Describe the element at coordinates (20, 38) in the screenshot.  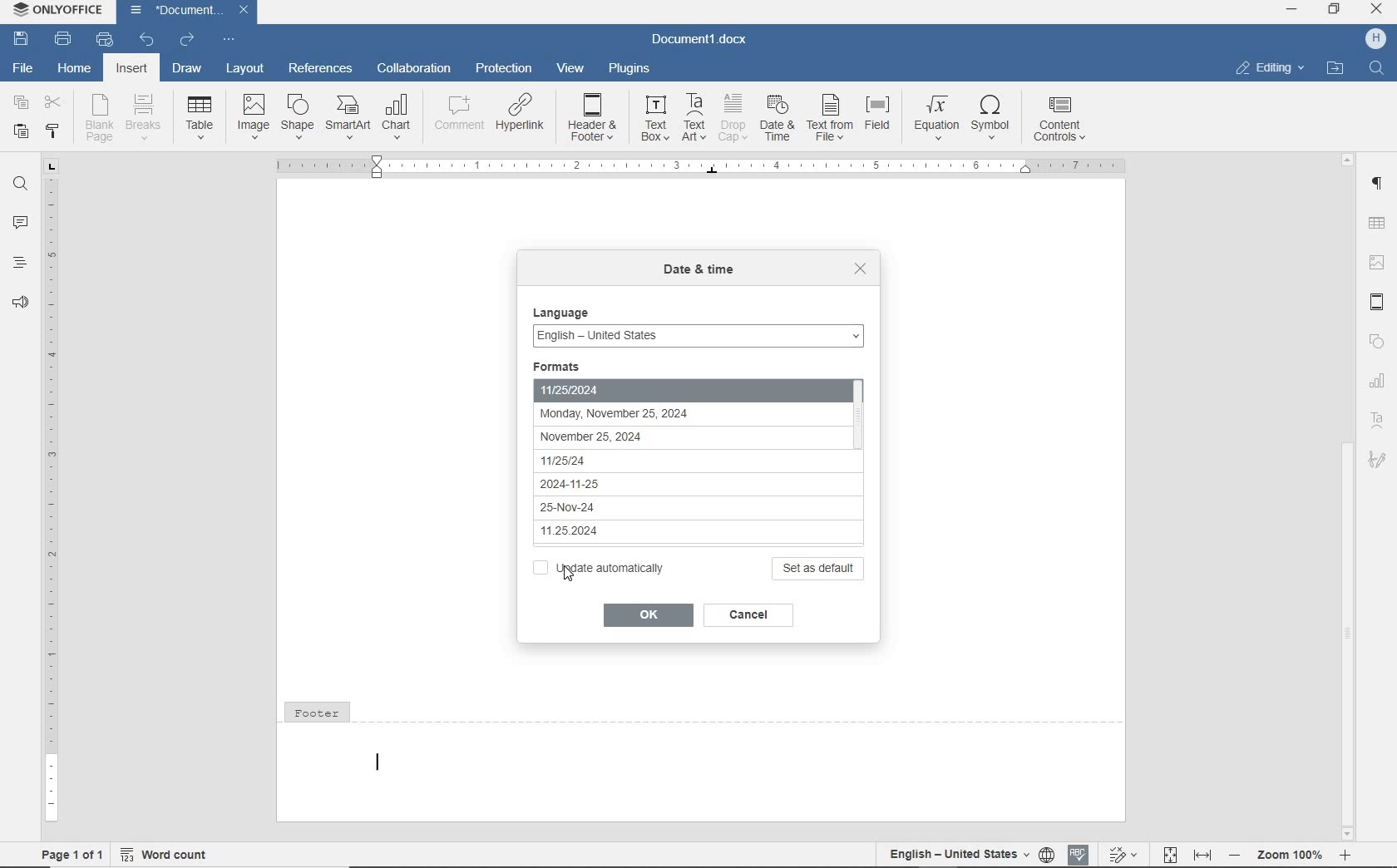
I see `save` at that location.